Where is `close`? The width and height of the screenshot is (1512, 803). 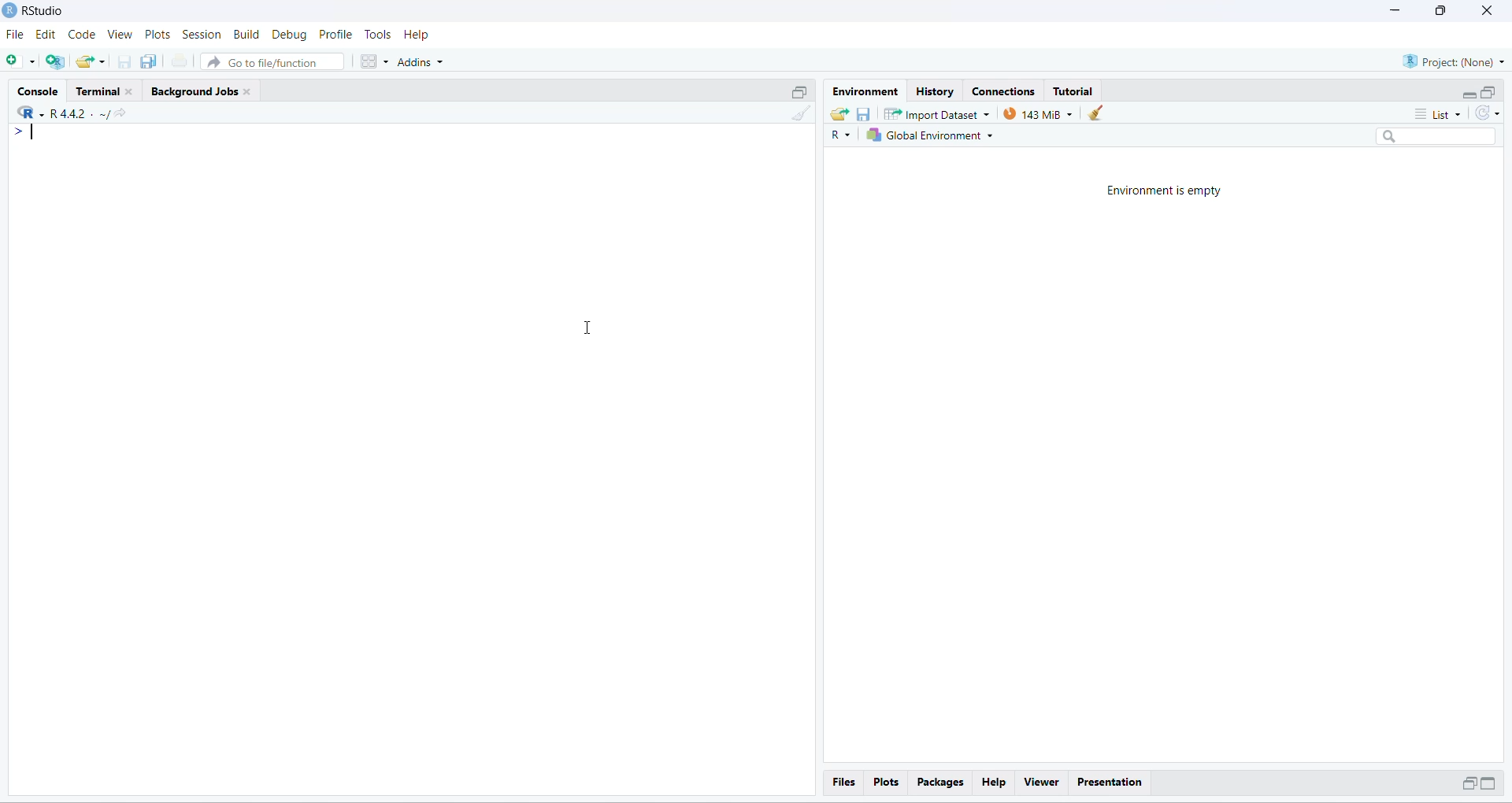
close is located at coordinates (247, 92).